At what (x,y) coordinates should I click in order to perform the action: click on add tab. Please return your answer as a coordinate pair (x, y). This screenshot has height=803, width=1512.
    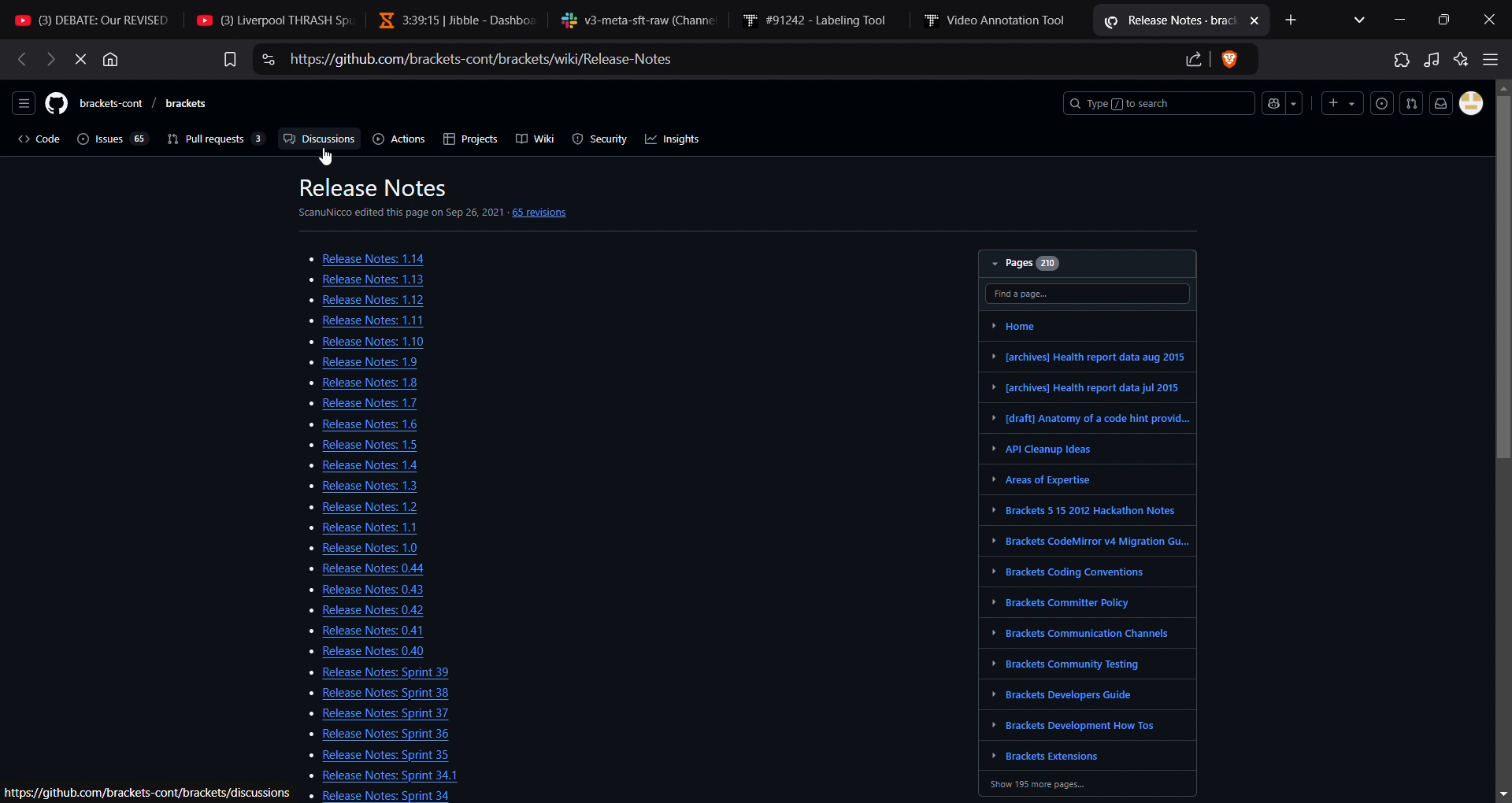
    Looking at the image, I should click on (1295, 21).